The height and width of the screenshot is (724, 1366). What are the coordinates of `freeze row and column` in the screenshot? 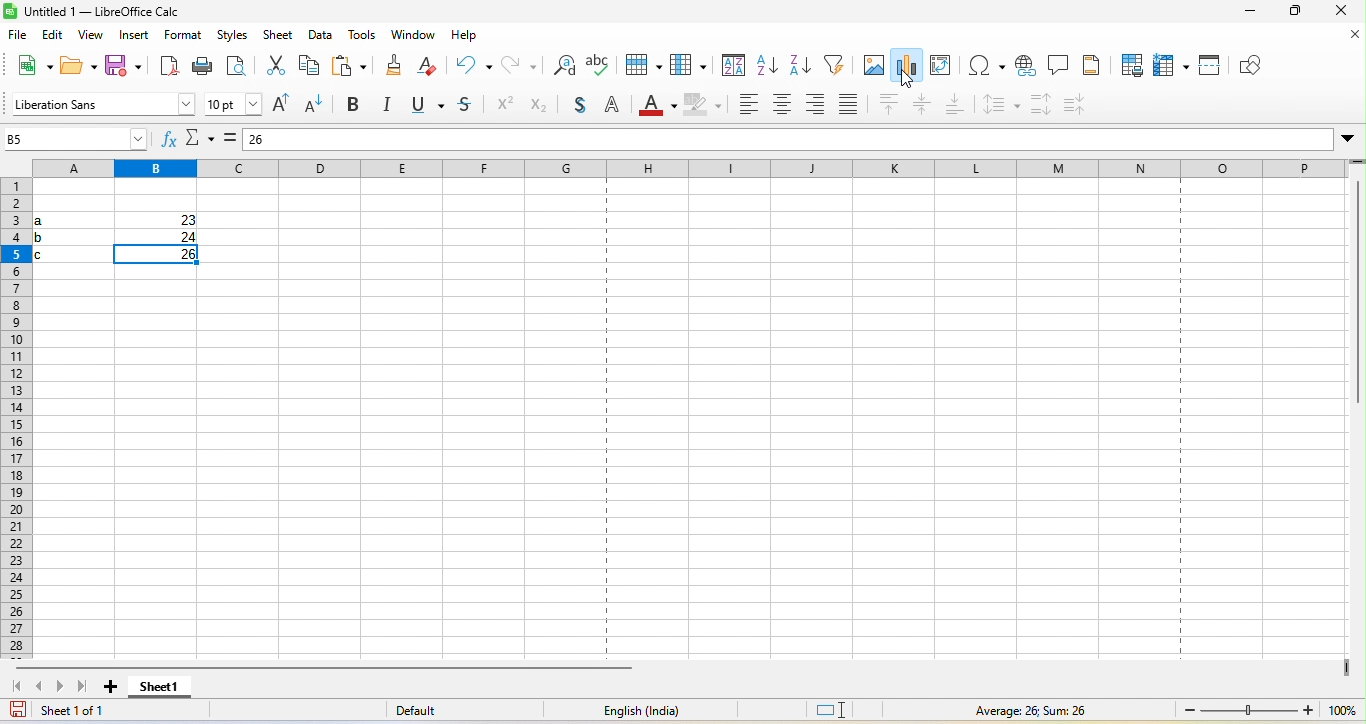 It's located at (1172, 66).